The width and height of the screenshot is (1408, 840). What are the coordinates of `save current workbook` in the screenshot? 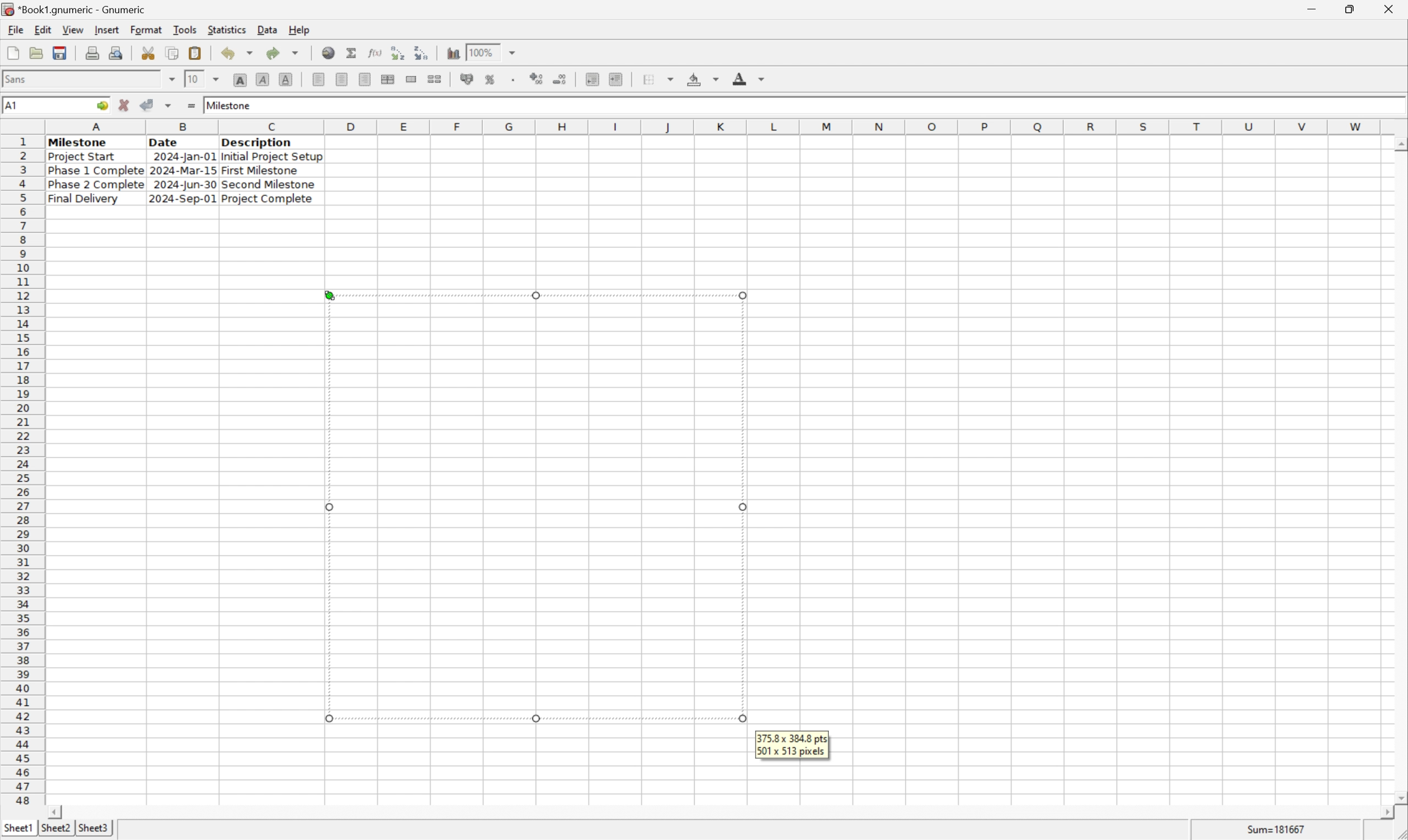 It's located at (60, 54).